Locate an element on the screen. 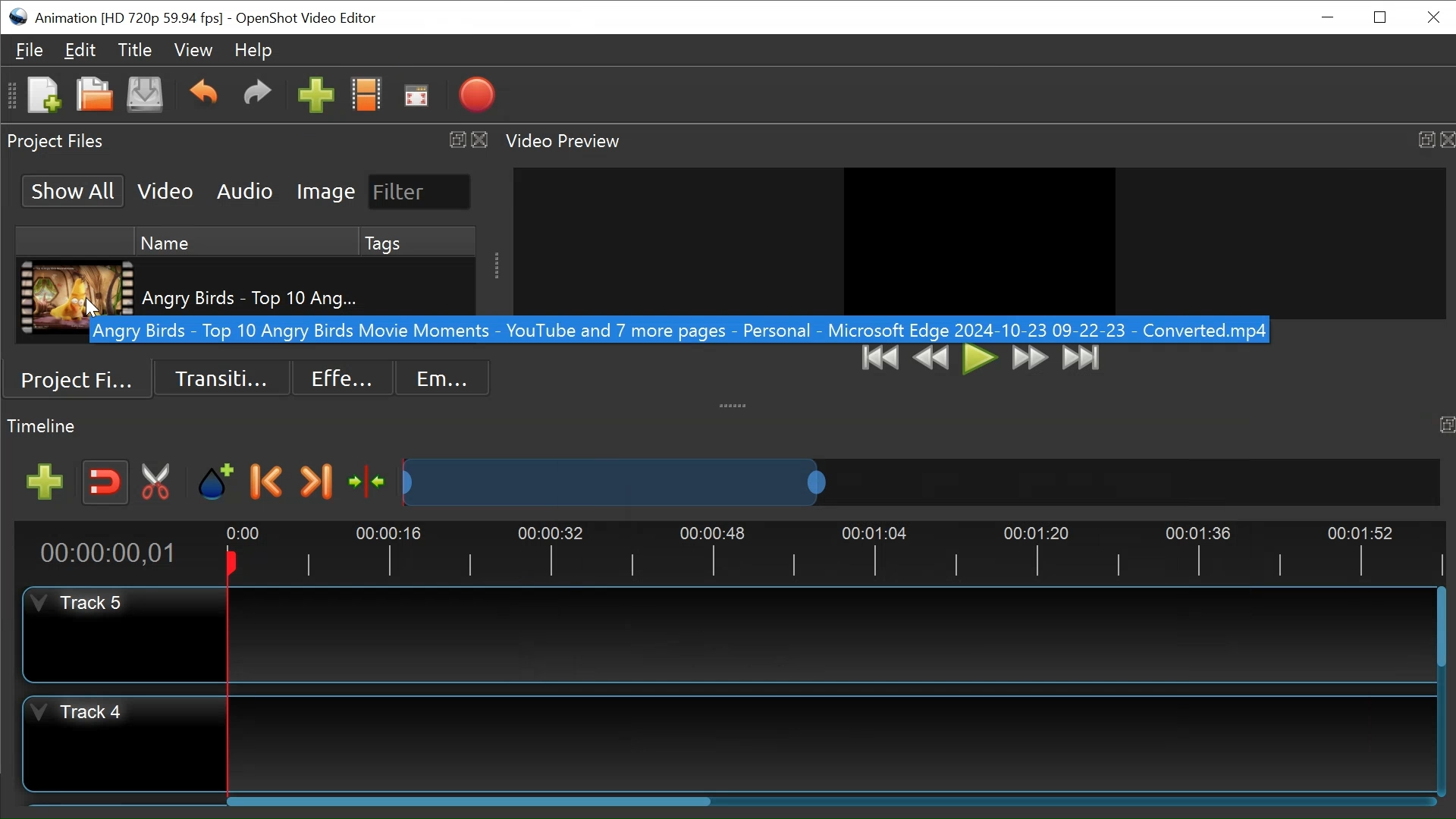 The height and width of the screenshot is (819, 1456). Project Files is located at coordinates (80, 380).